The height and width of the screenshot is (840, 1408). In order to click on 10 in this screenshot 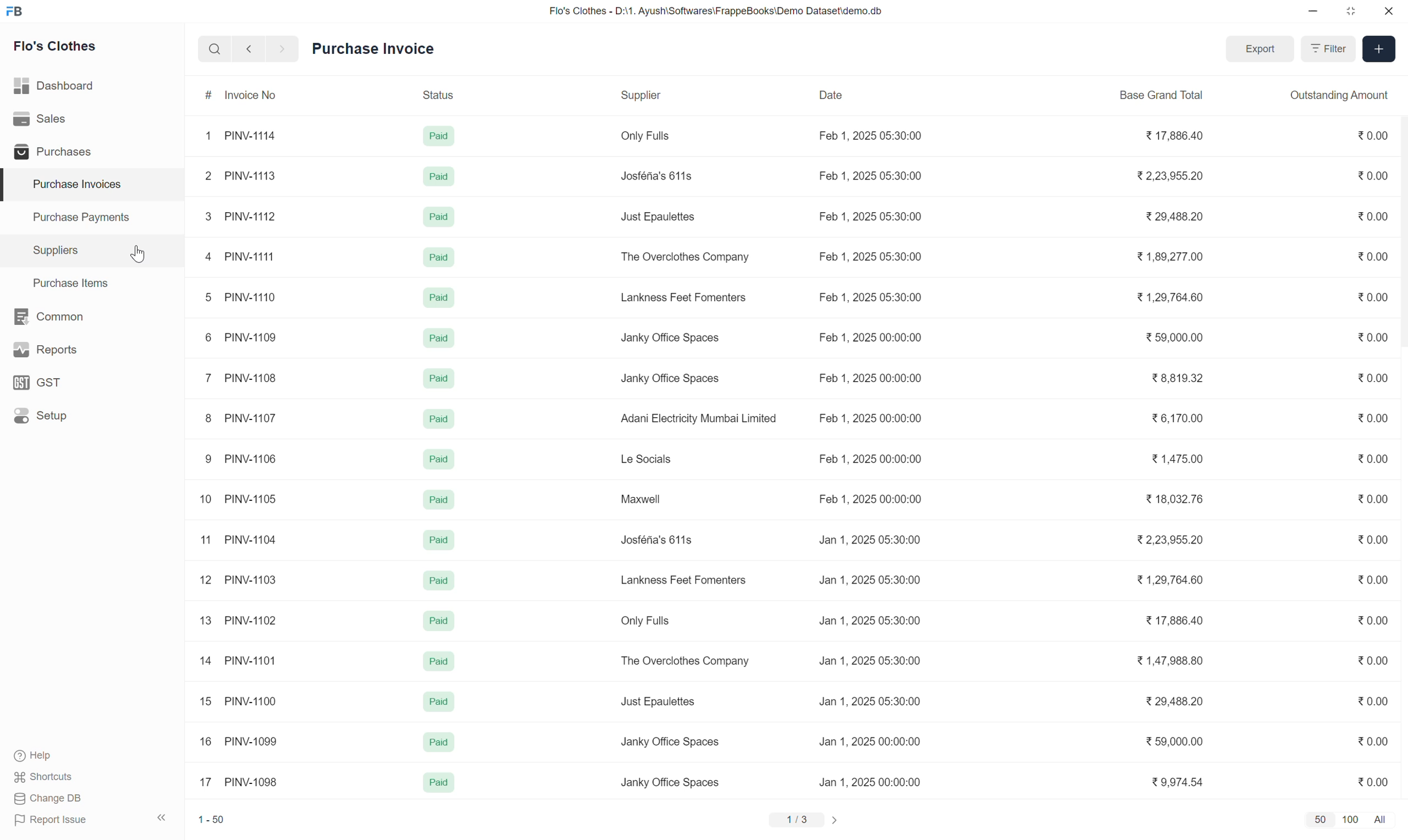, I will do `click(204, 500)`.